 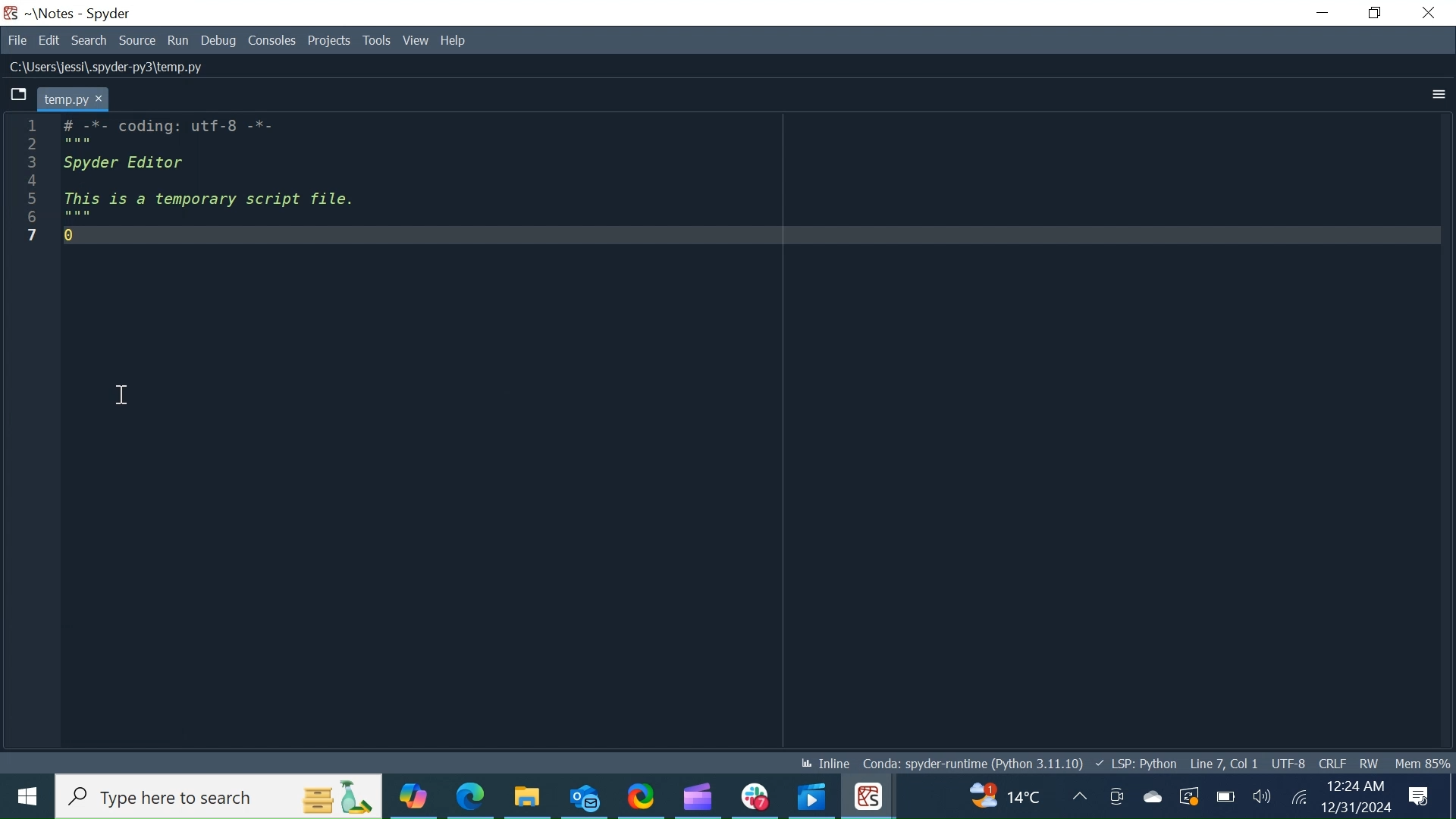 What do you see at coordinates (179, 42) in the screenshot?
I see `Run` at bounding box center [179, 42].